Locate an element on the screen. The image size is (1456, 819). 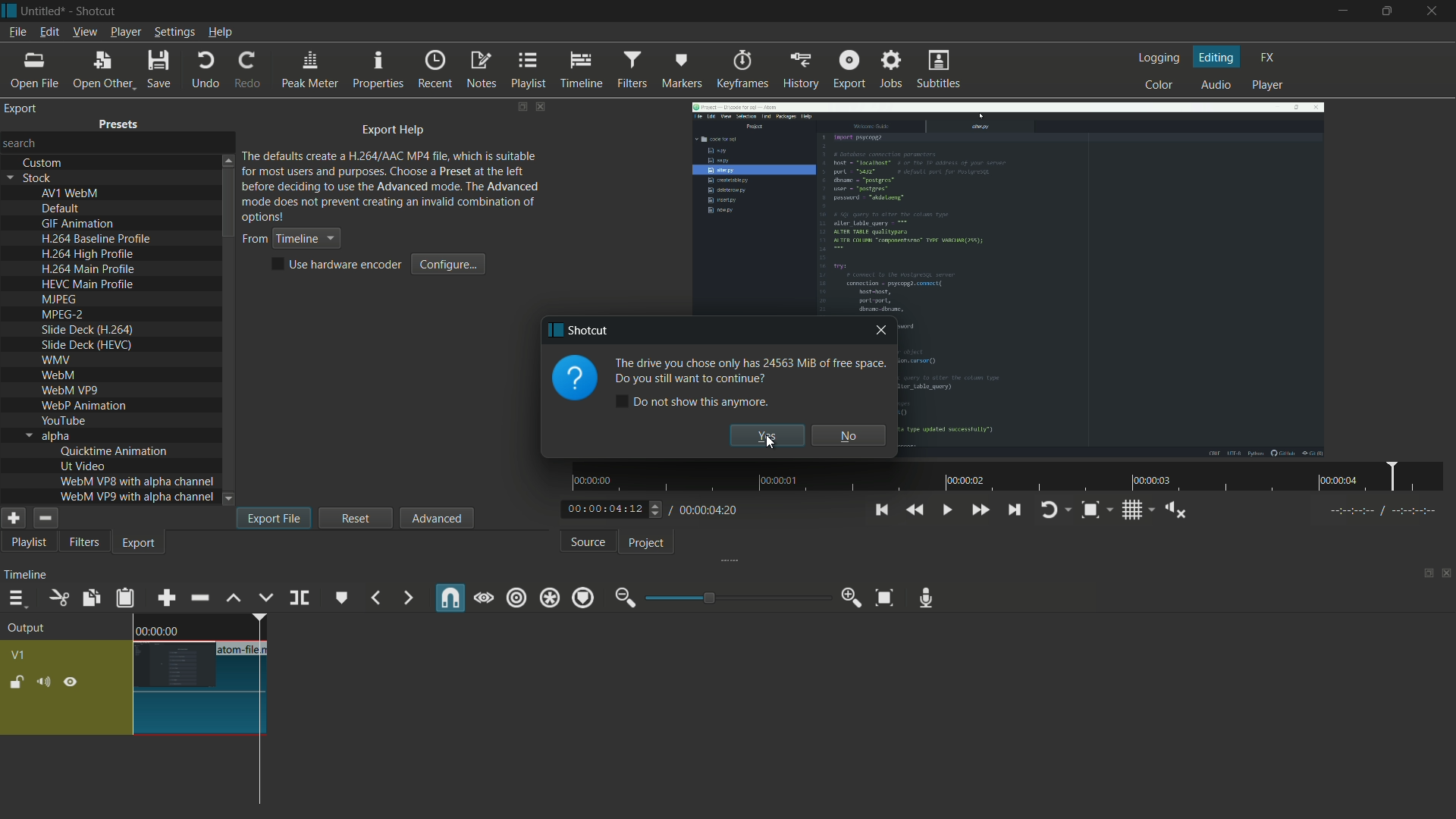
timeline is located at coordinates (25, 577).